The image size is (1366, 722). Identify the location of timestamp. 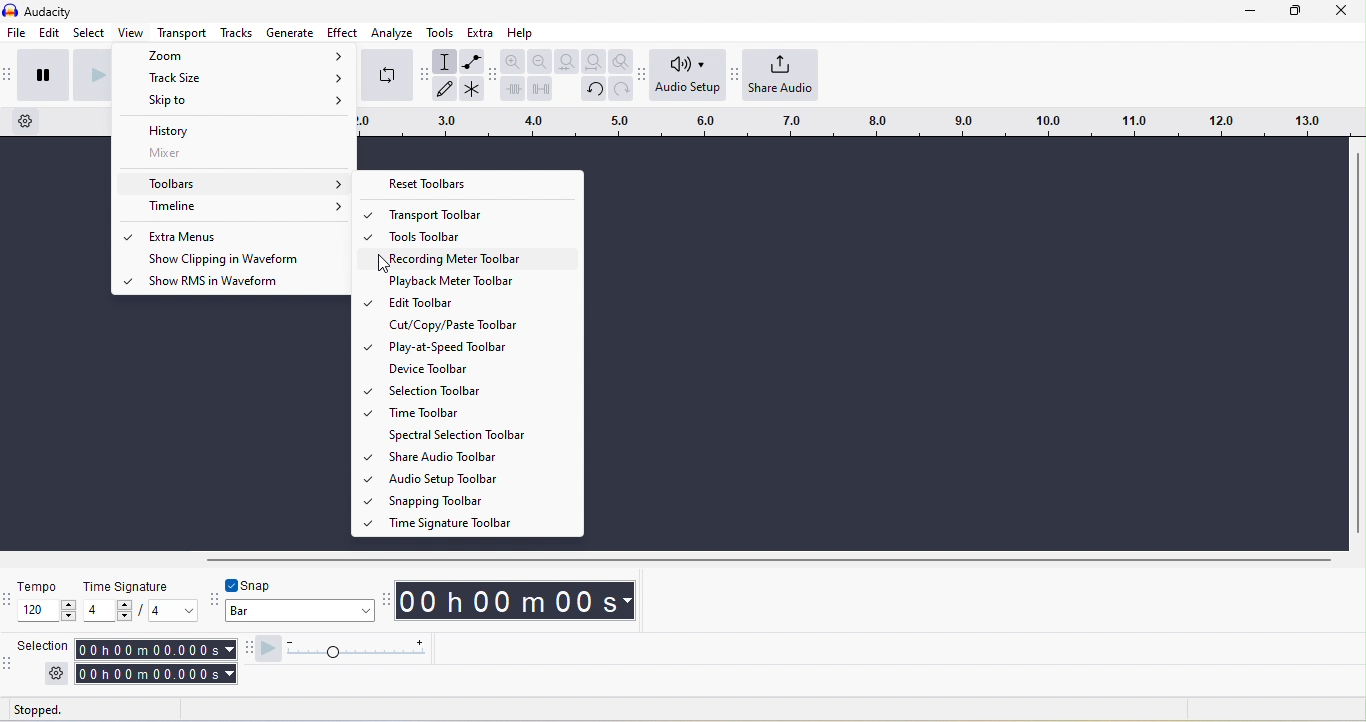
(515, 601).